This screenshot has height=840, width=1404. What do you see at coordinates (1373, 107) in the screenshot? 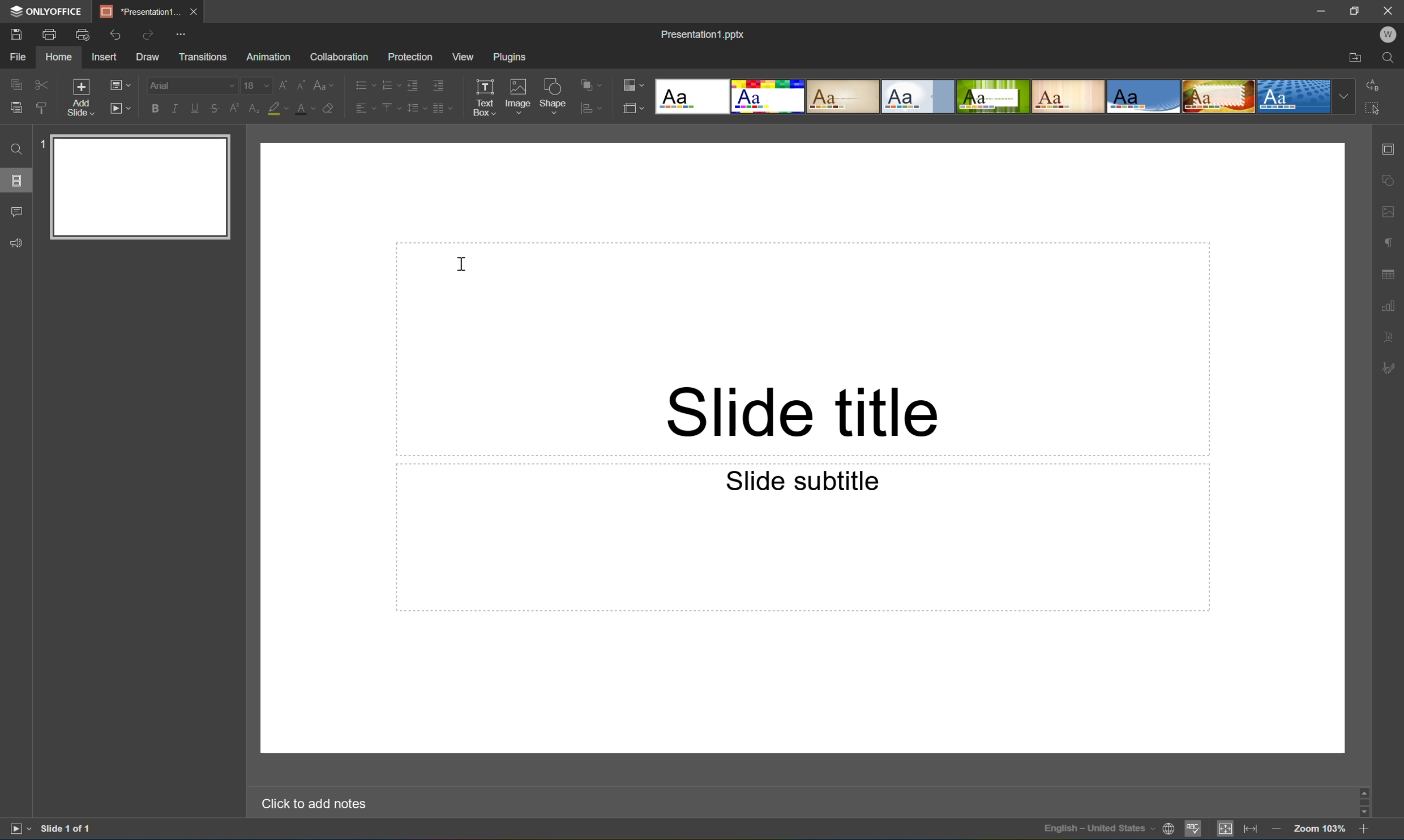
I see `Select all` at bounding box center [1373, 107].